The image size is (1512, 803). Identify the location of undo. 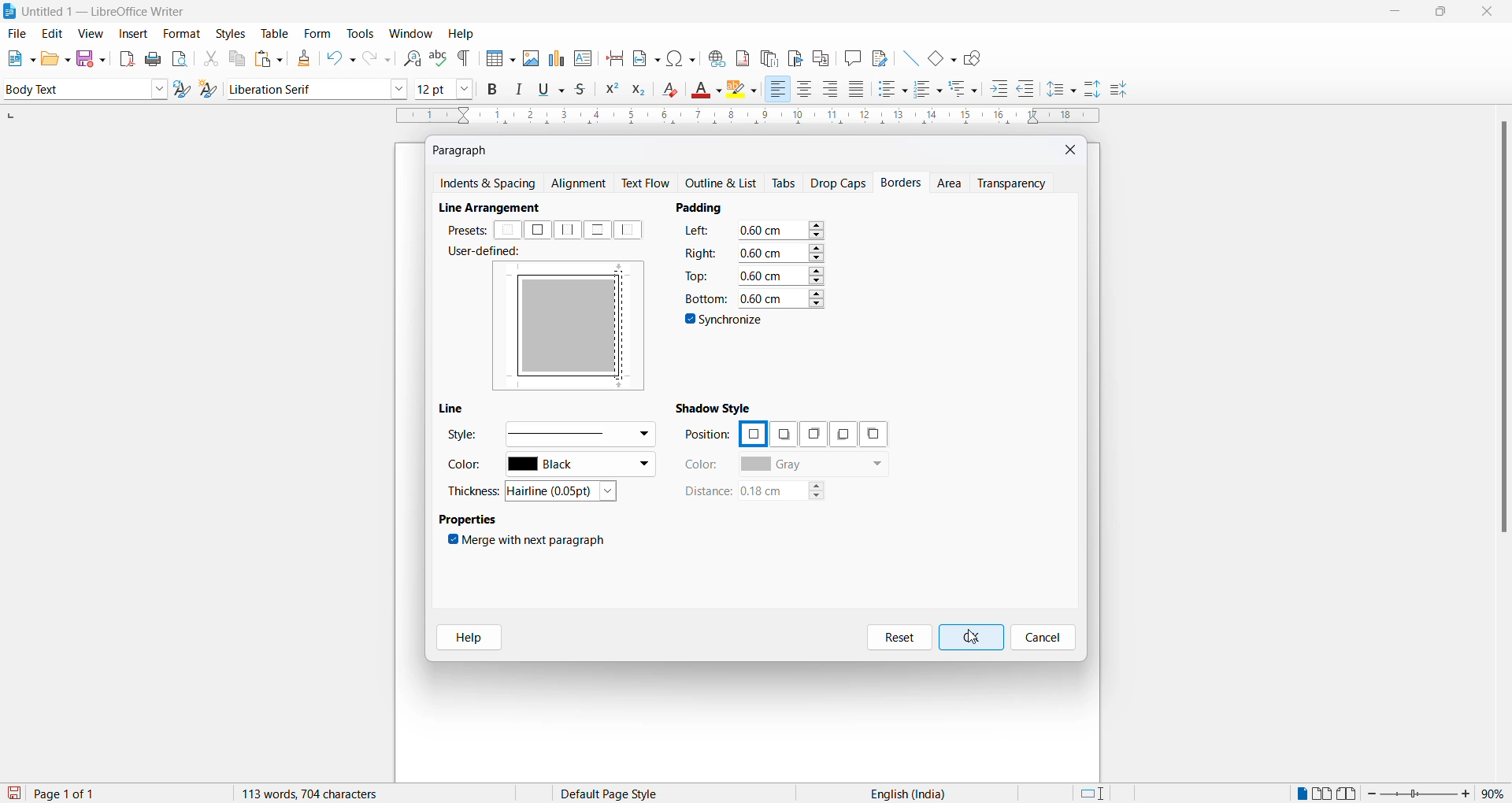
(338, 58).